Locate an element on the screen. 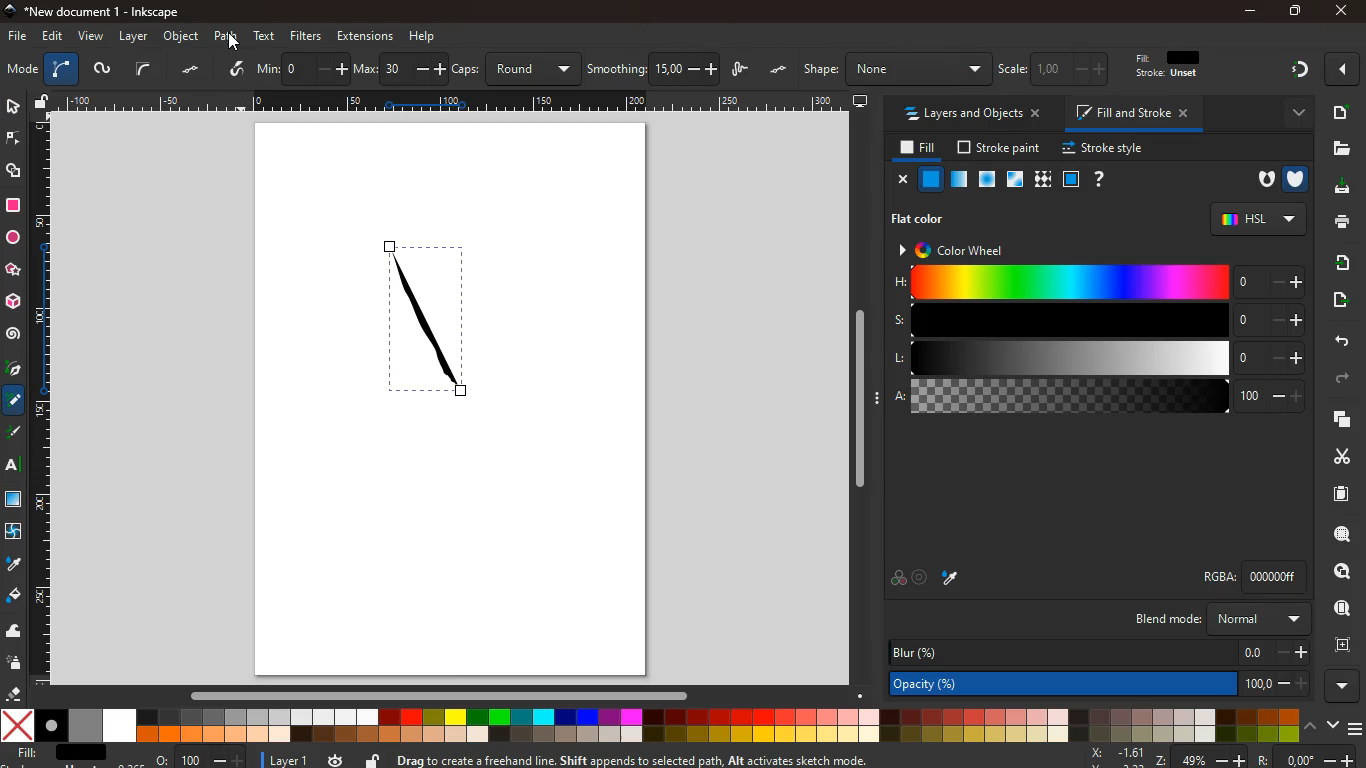  unlock is located at coordinates (373, 759).